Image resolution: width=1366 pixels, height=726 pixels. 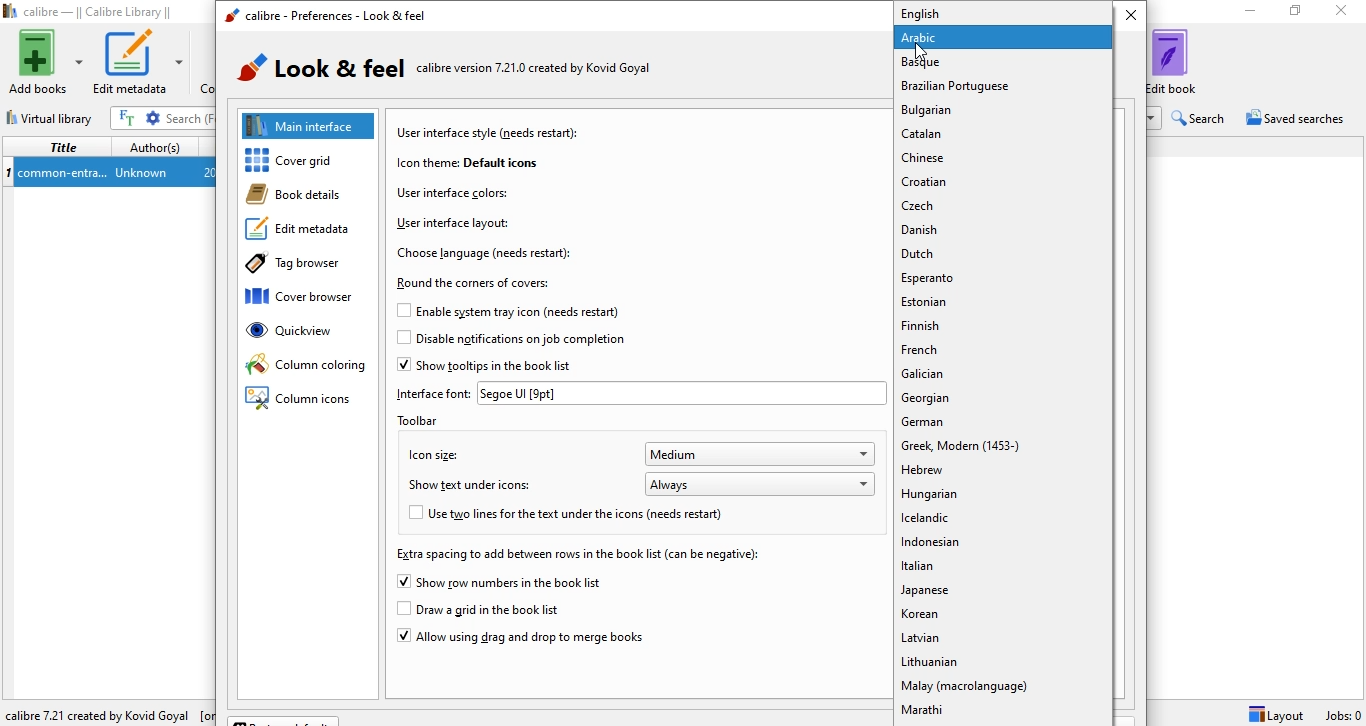 What do you see at coordinates (575, 554) in the screenshot?
I see `extra spacing to add between in the book list (can be negative)` at bounding box center [575, 554].